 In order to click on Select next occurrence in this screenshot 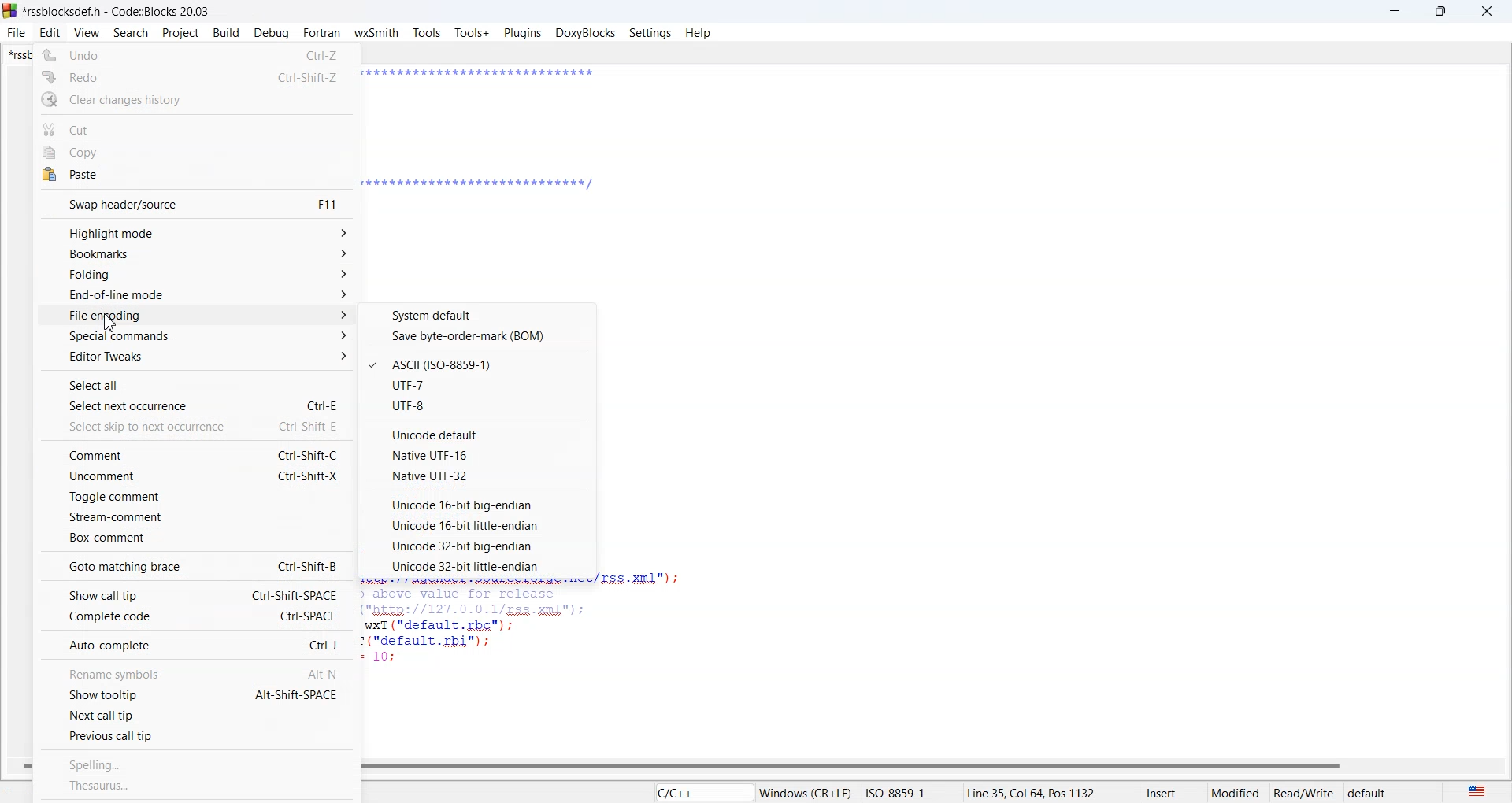, I will do `click(198, 404)`.